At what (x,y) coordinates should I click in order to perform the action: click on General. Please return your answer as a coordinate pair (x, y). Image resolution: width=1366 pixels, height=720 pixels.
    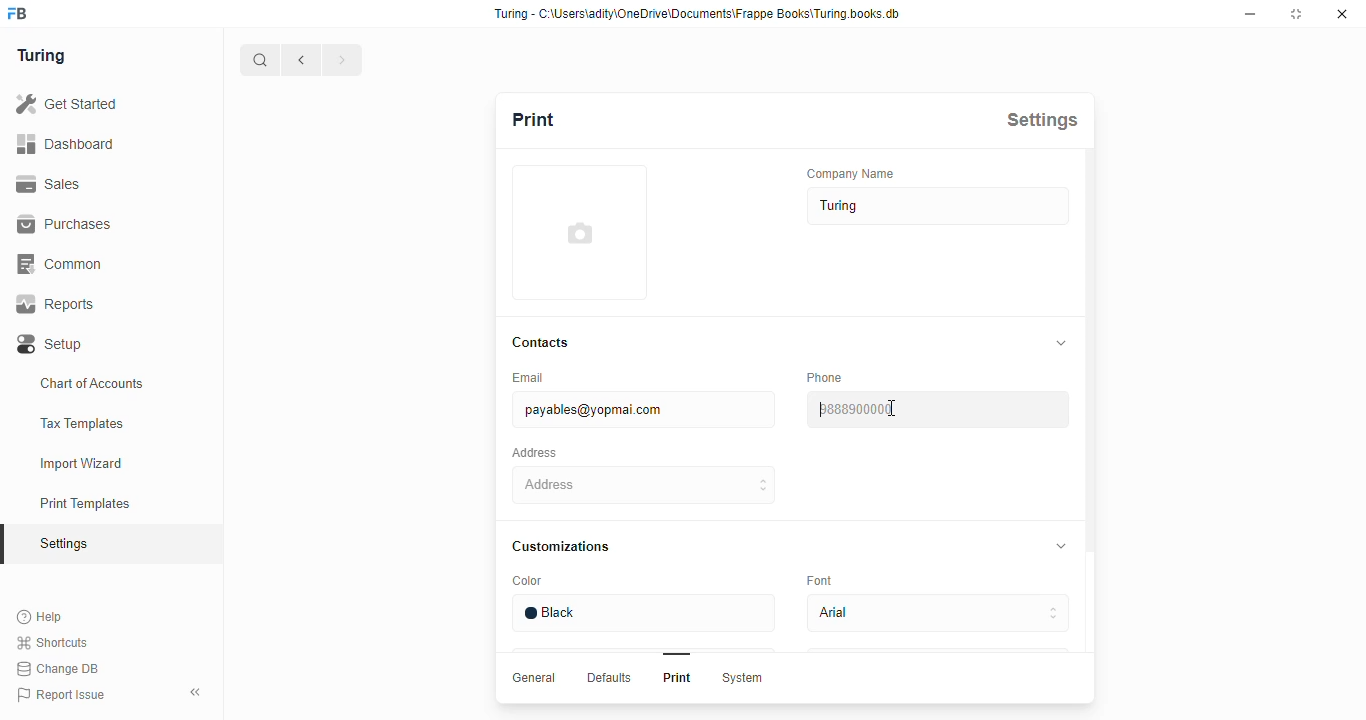
    Looking at the image, I should click on (530, 676).